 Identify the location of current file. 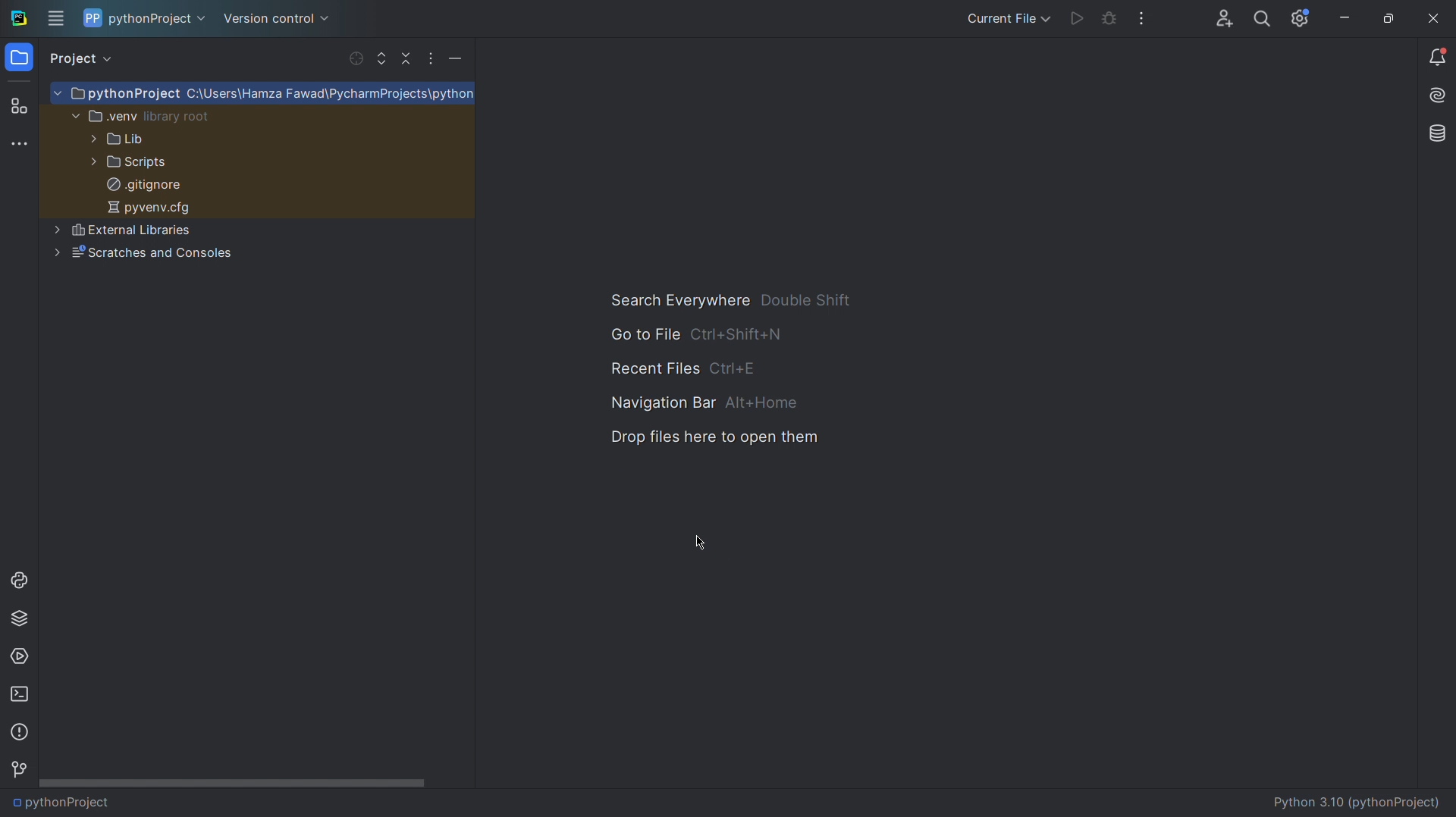
(1006, 17).